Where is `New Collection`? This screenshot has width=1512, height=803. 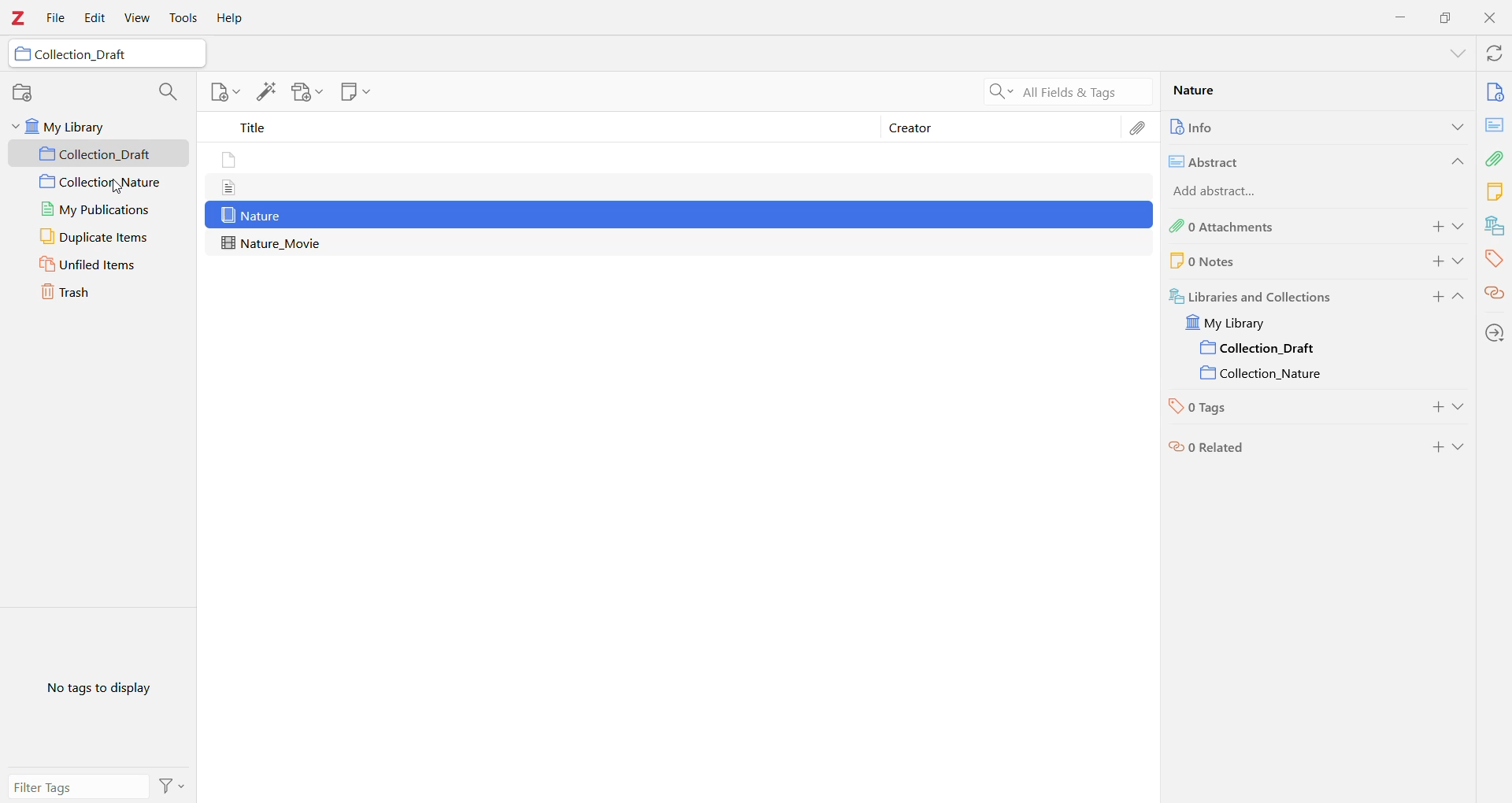 New Collection is located at coordinates (23, 94).